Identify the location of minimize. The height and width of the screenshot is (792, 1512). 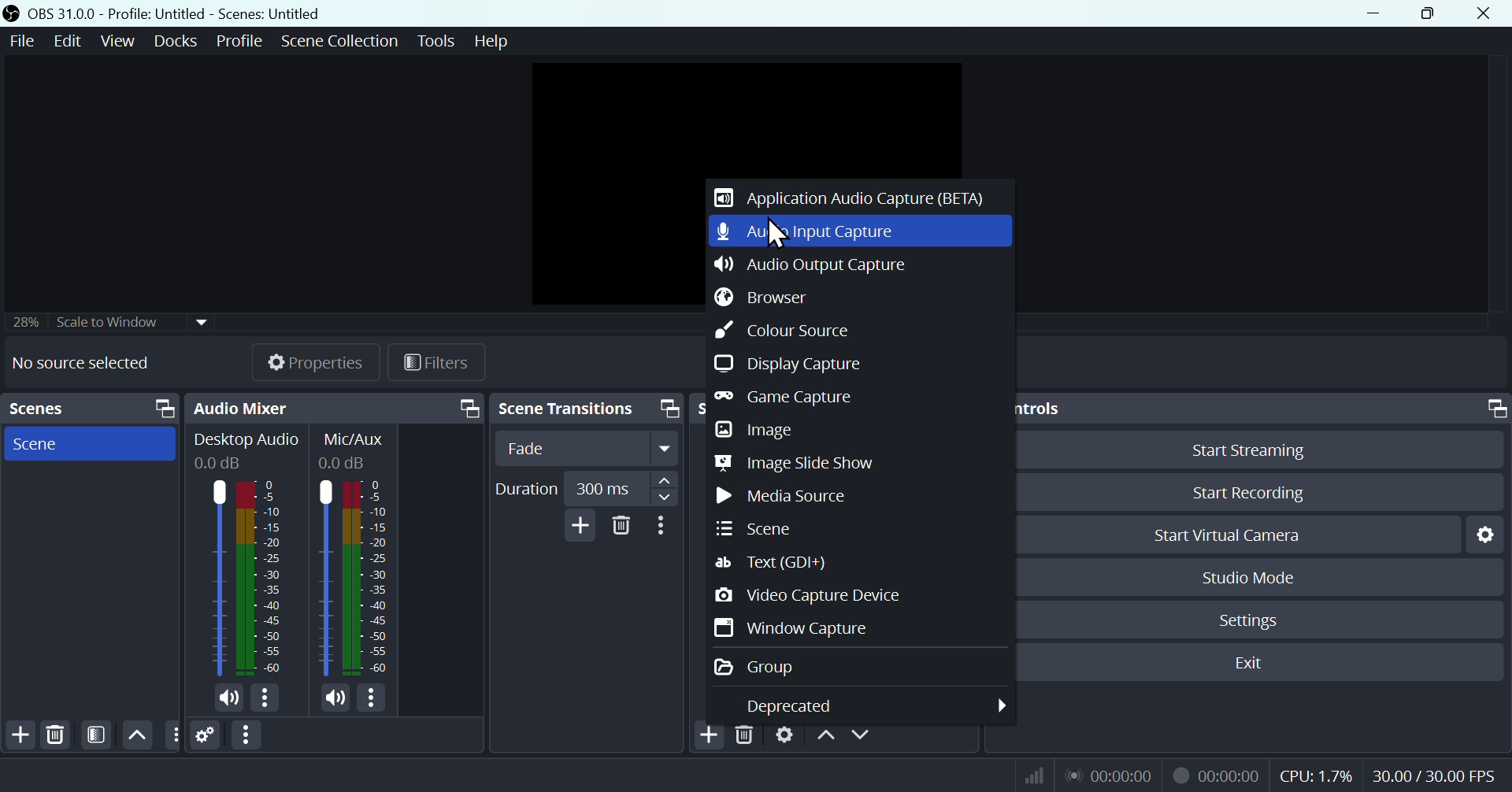
(1379, 13).